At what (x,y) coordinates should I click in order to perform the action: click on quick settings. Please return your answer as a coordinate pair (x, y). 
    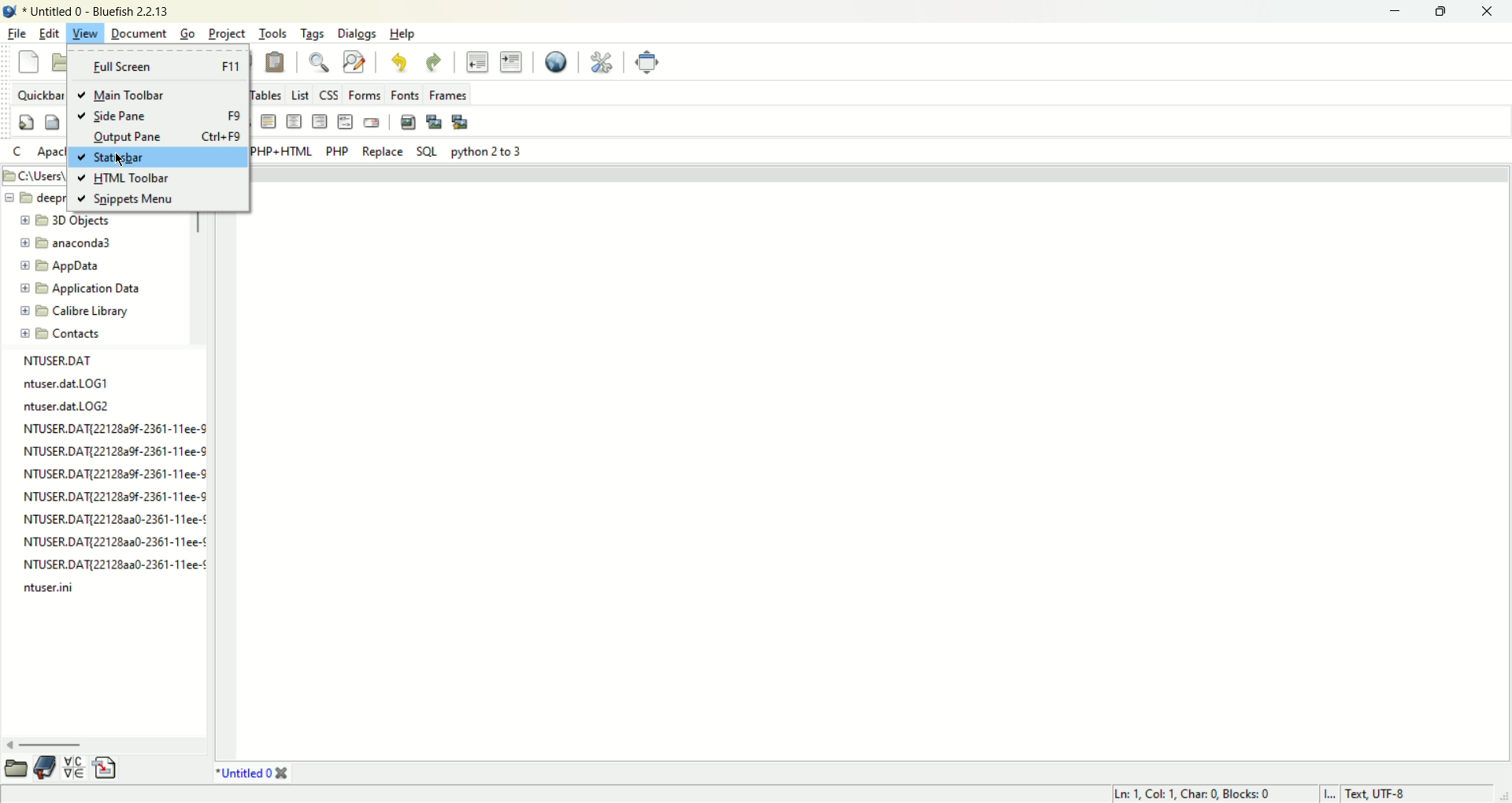
    Looking at the image, I should click on (28, 122).